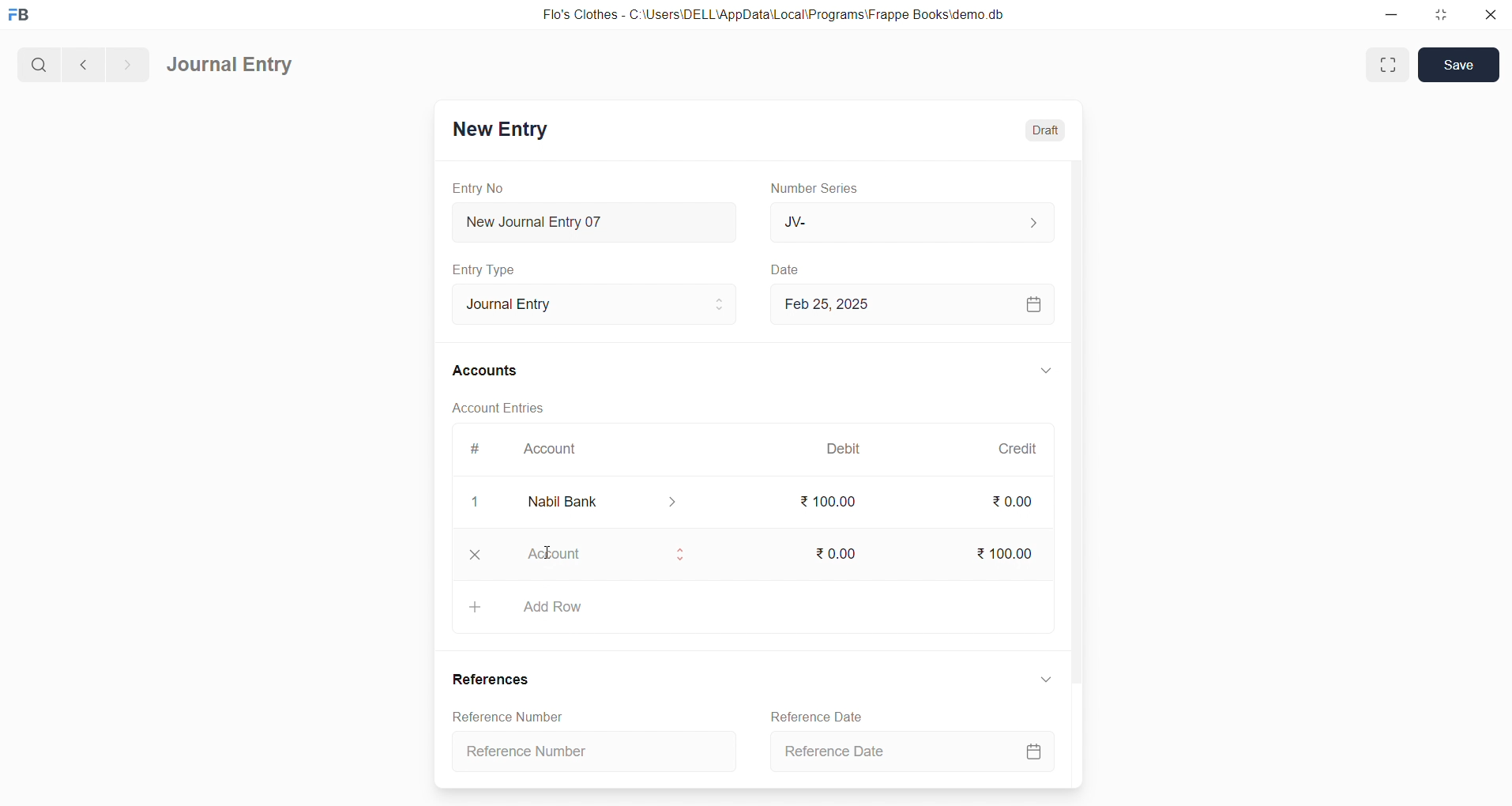 This screenshot has width=1512, height=806. What do you see at coordinates (548, 559) in the screenshot?
I see `cursor` at bounding box center [548, 559].